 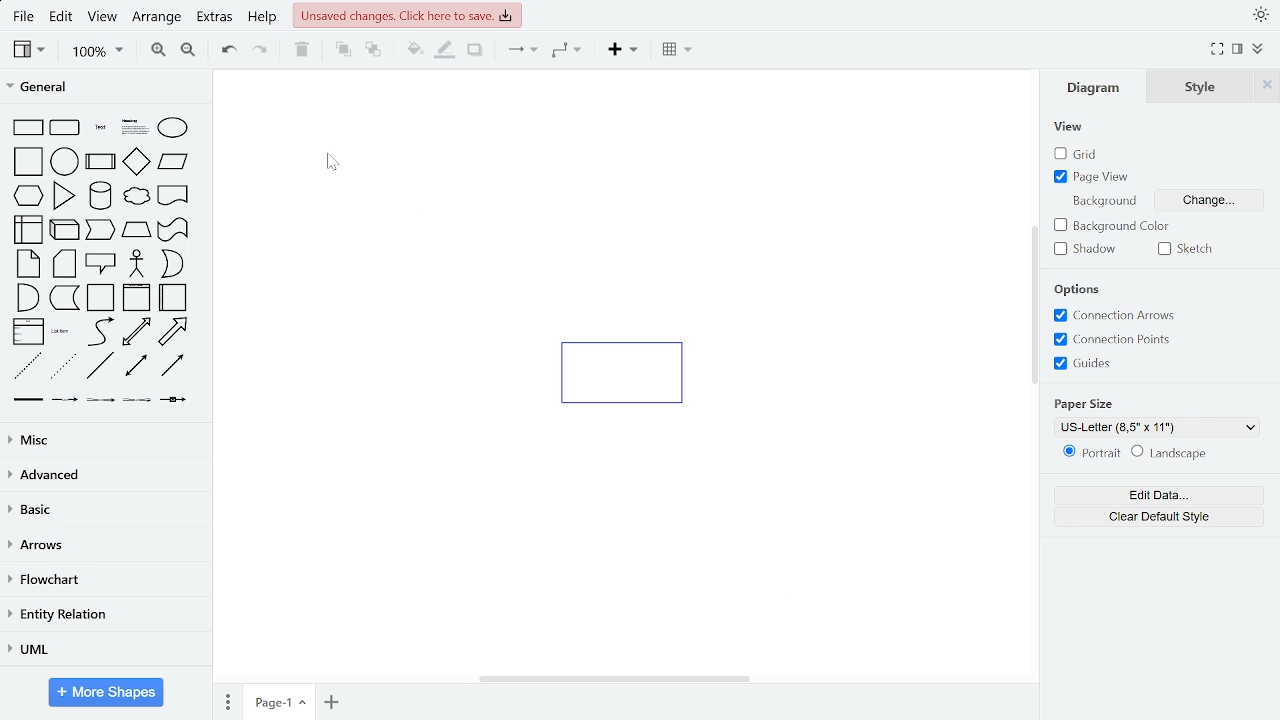 I want to click on insert, so click(x=622, y=52).